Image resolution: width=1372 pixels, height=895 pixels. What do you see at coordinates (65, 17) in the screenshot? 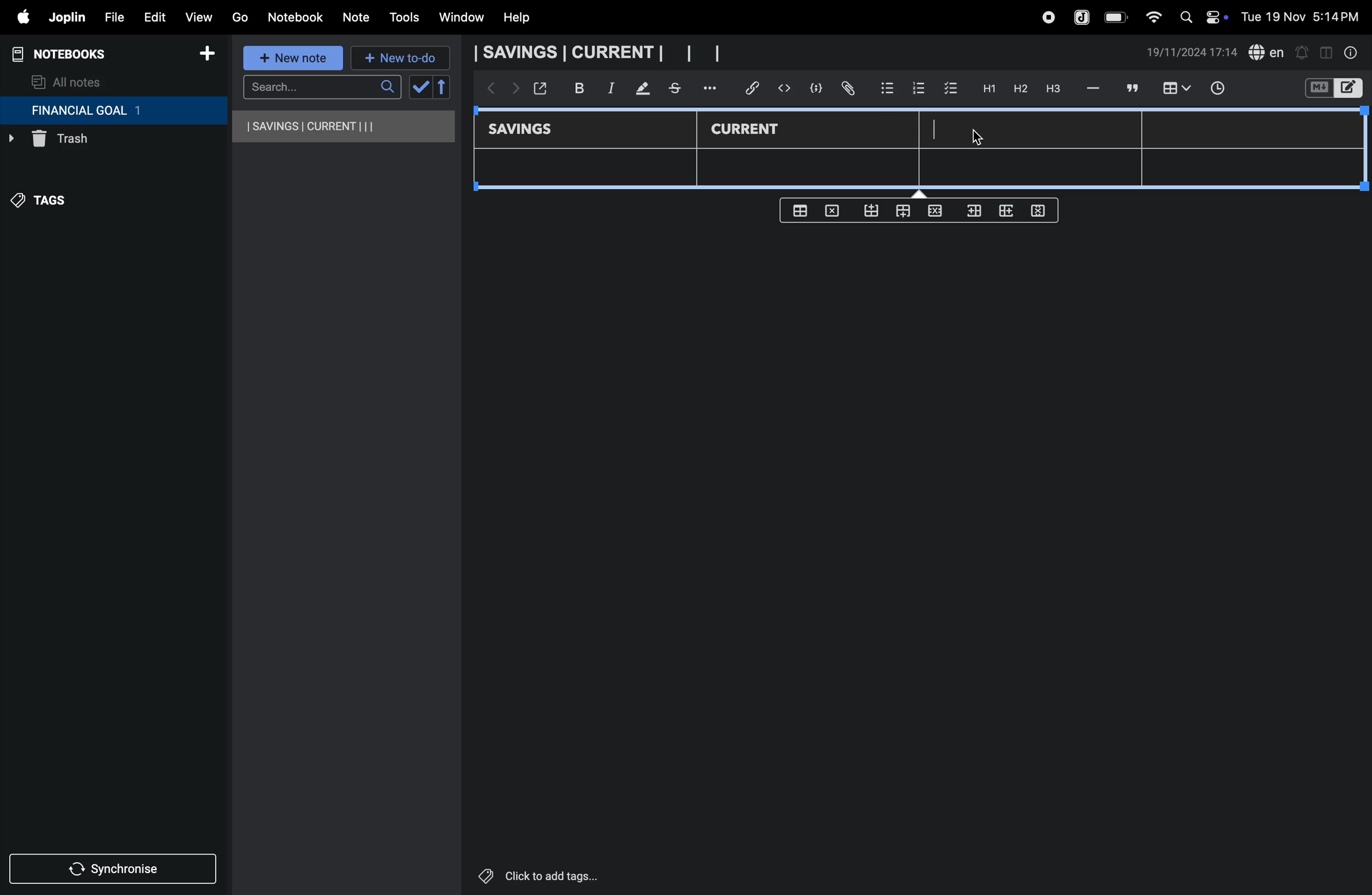
I see `joplin menu` at bounding box center [65, 17].